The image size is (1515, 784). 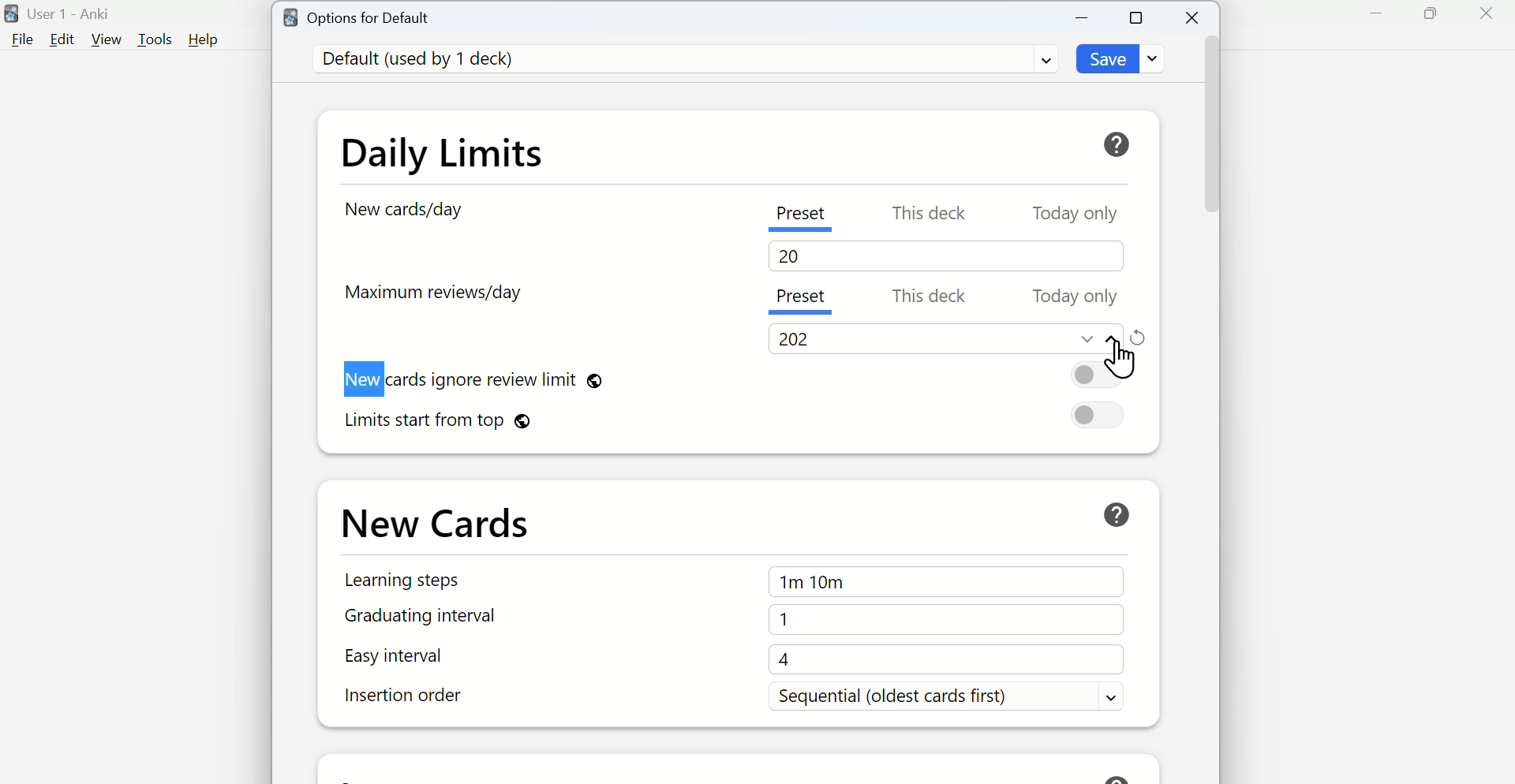 I want to click on Default, so click(x=683, y=59).